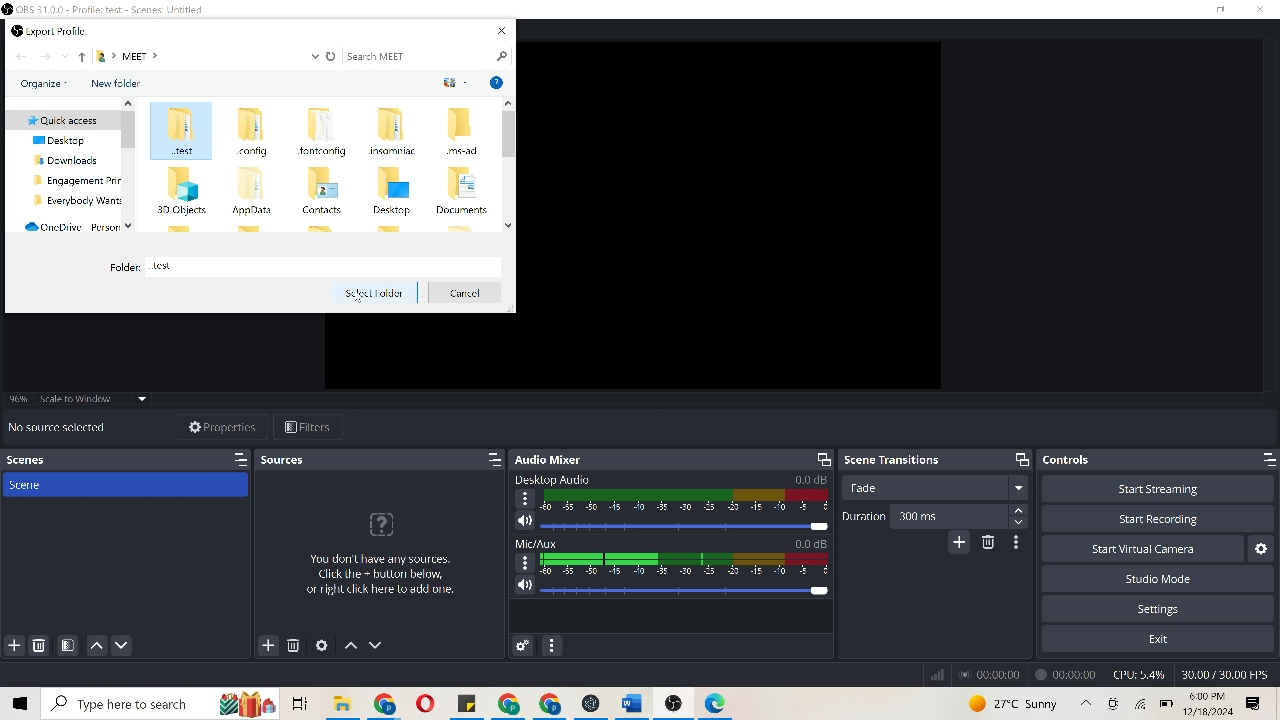  Describe the element at coordinates (22, 704) in the screenshot. I see `window icon` at that location.